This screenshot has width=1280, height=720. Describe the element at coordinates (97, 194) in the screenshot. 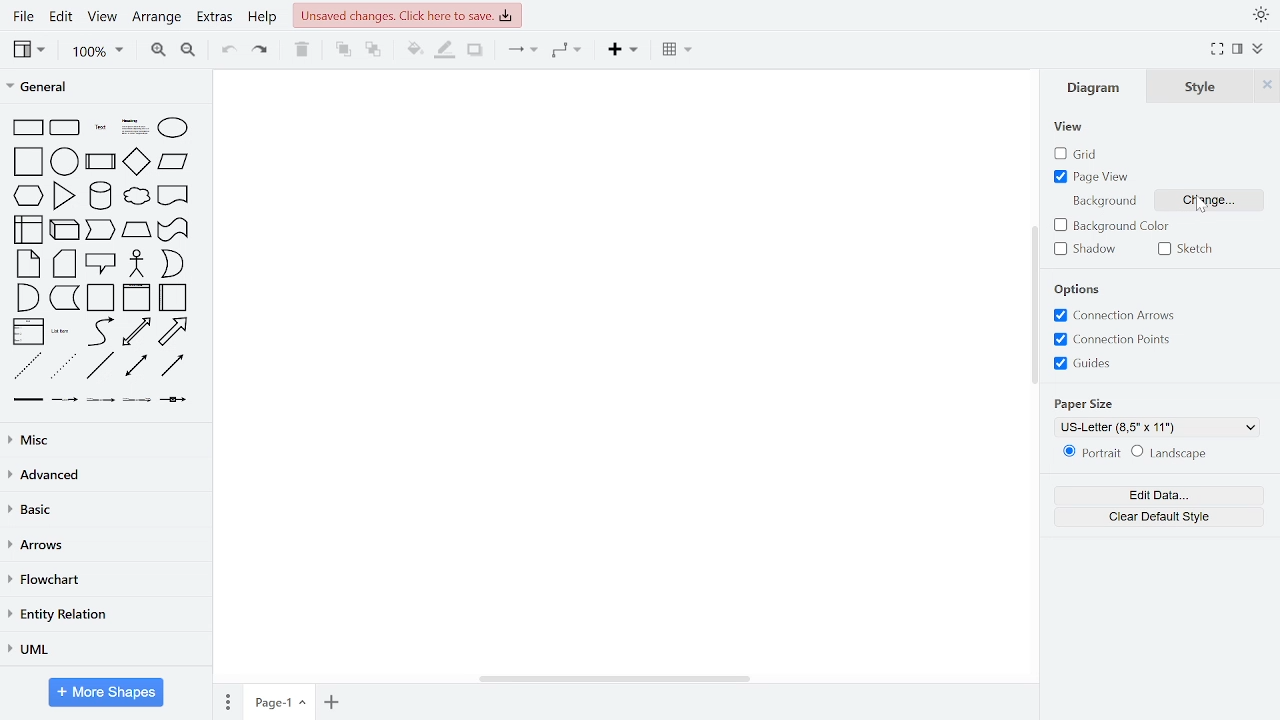

I see `general shapes` at that location.